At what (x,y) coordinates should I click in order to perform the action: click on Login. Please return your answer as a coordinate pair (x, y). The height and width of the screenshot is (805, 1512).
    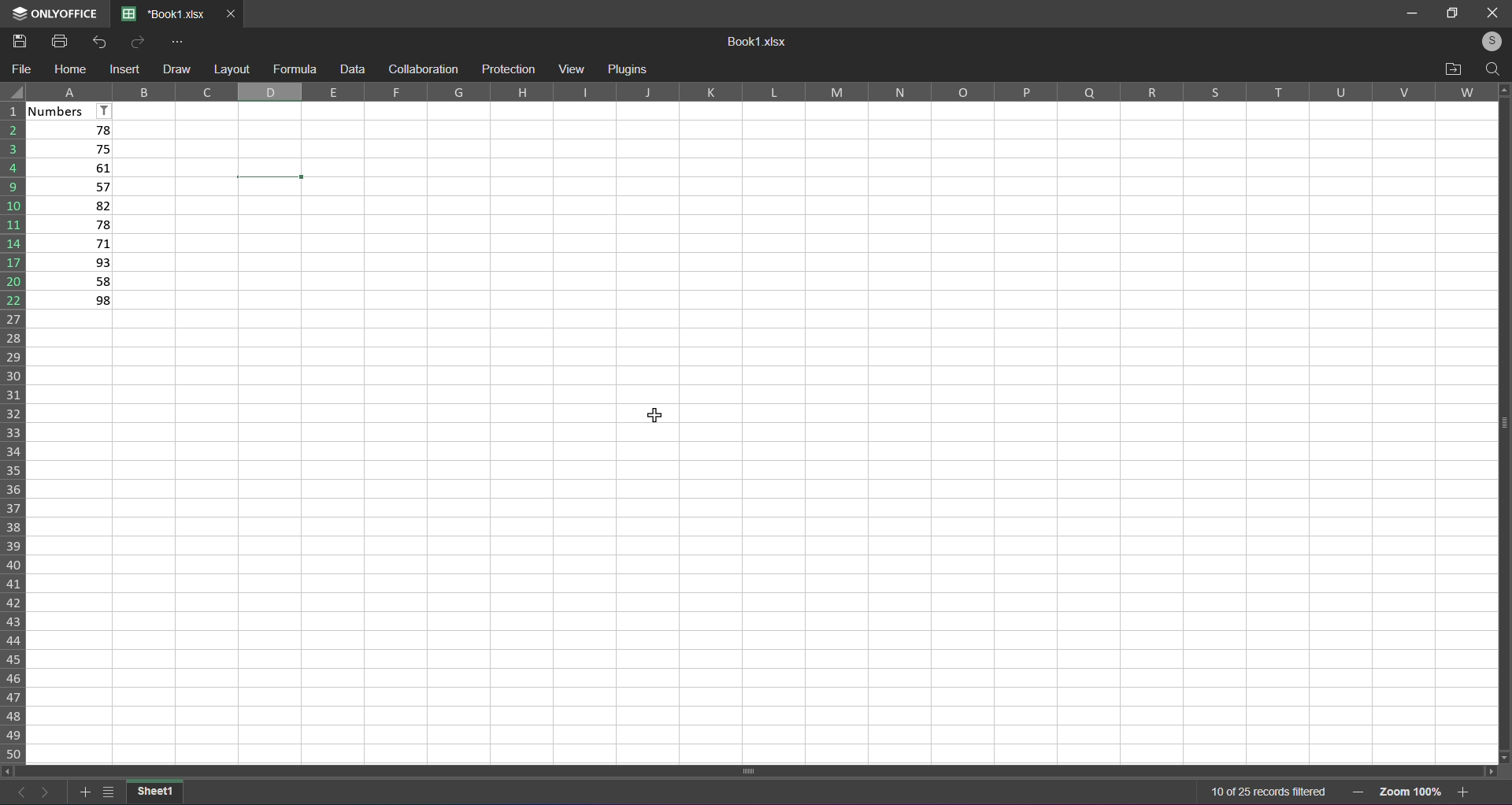
    Looking at the image, I should click on (1486, 42).